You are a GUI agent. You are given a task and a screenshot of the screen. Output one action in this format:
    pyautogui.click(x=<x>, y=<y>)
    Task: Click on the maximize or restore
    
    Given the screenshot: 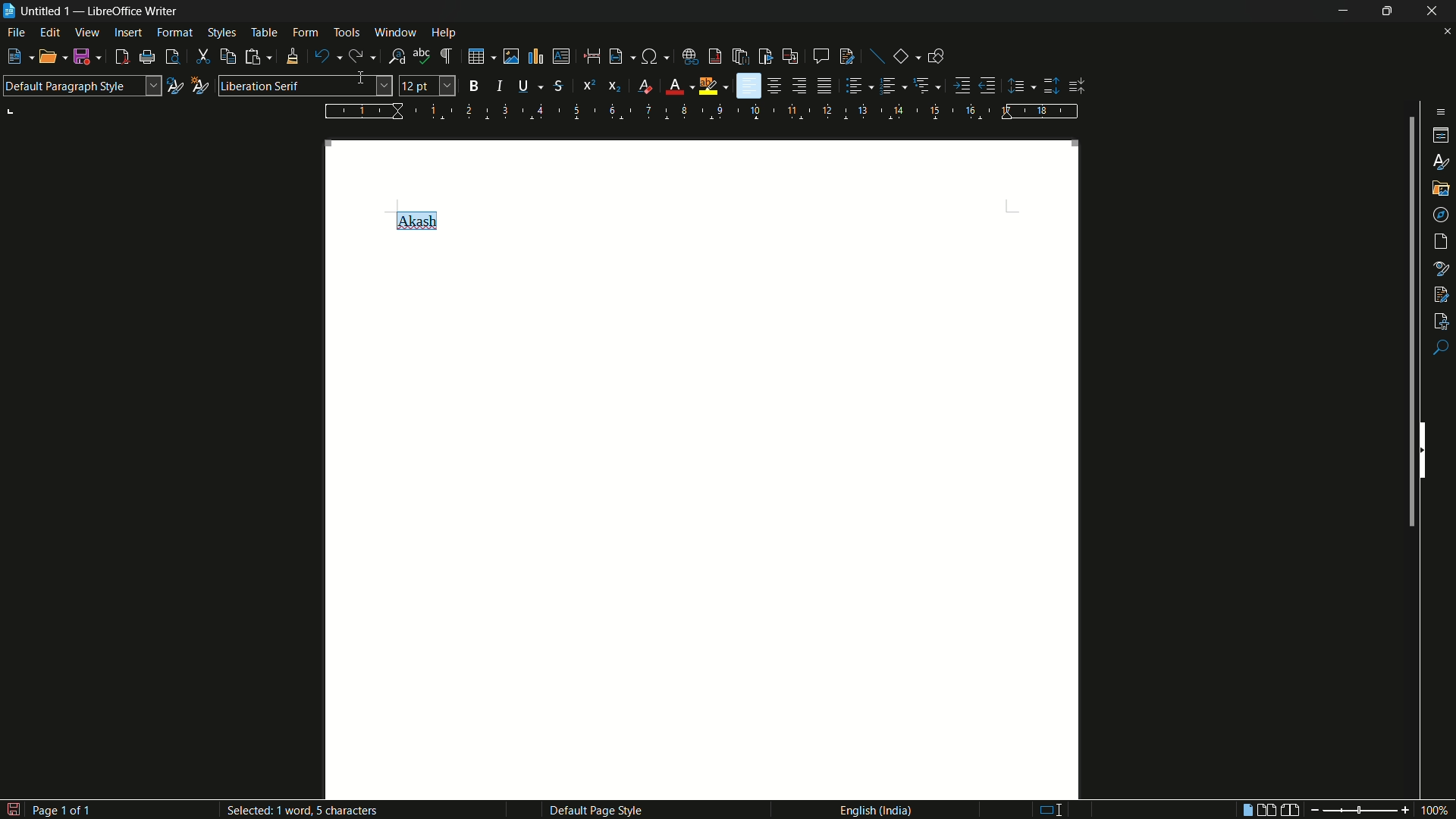 What is the action you would take?
    pyautogui.click(x=1387, y=11)
    